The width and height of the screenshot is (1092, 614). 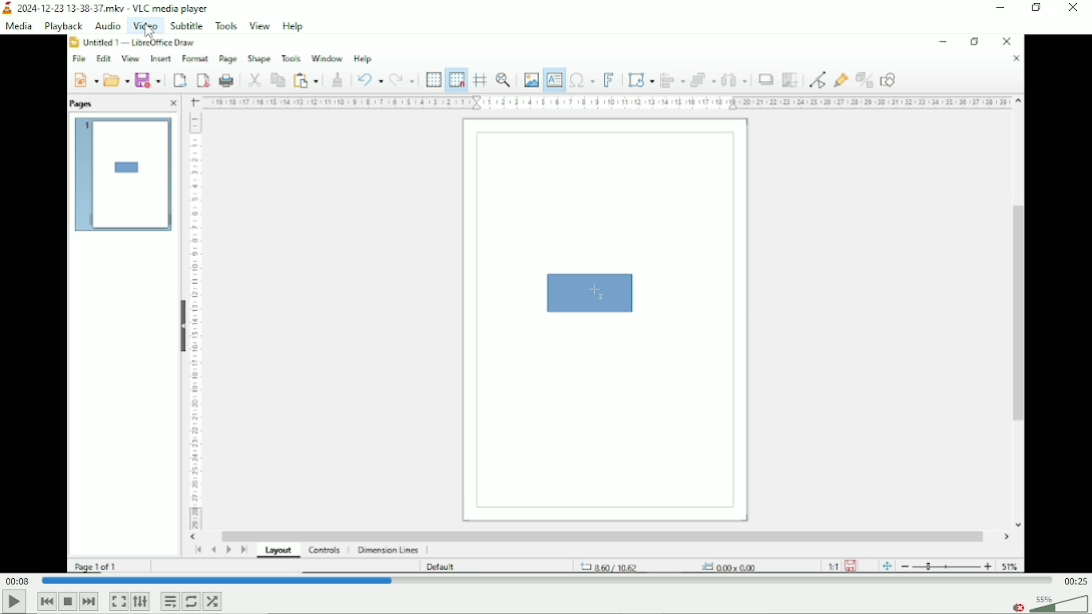 I want to click on Play duration, so click(x=547, y=581).